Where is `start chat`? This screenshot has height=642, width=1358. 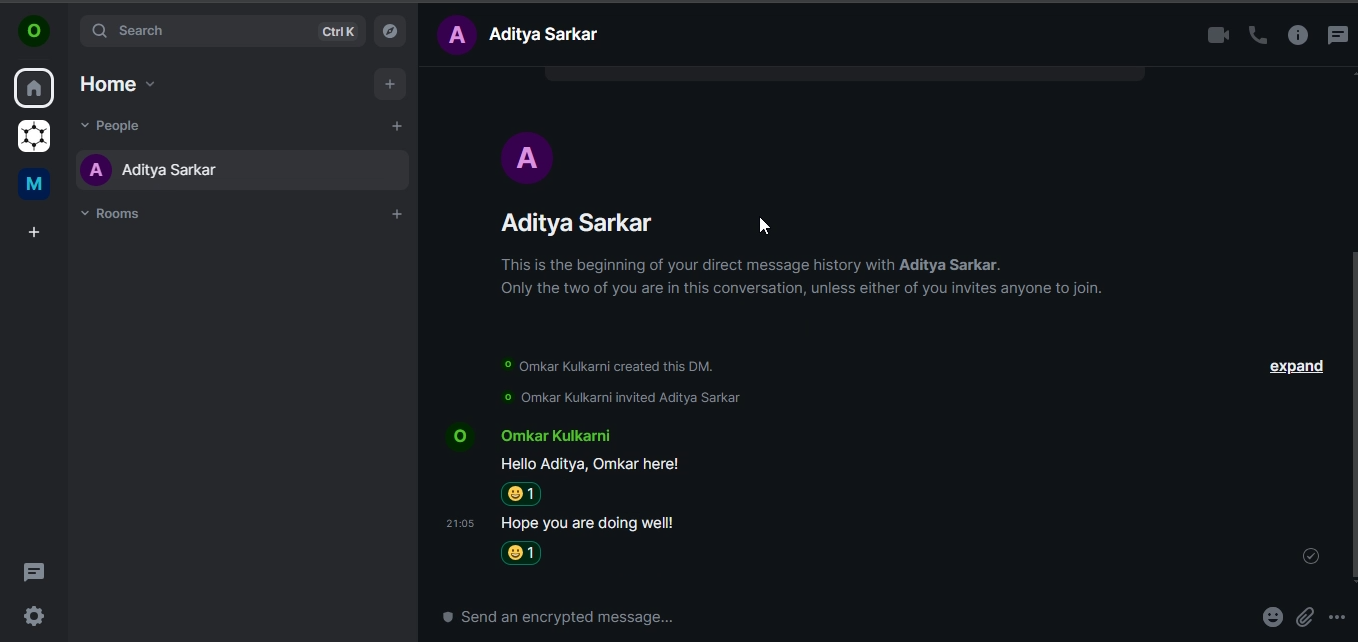
start chat is located at coordinates (397, 125).